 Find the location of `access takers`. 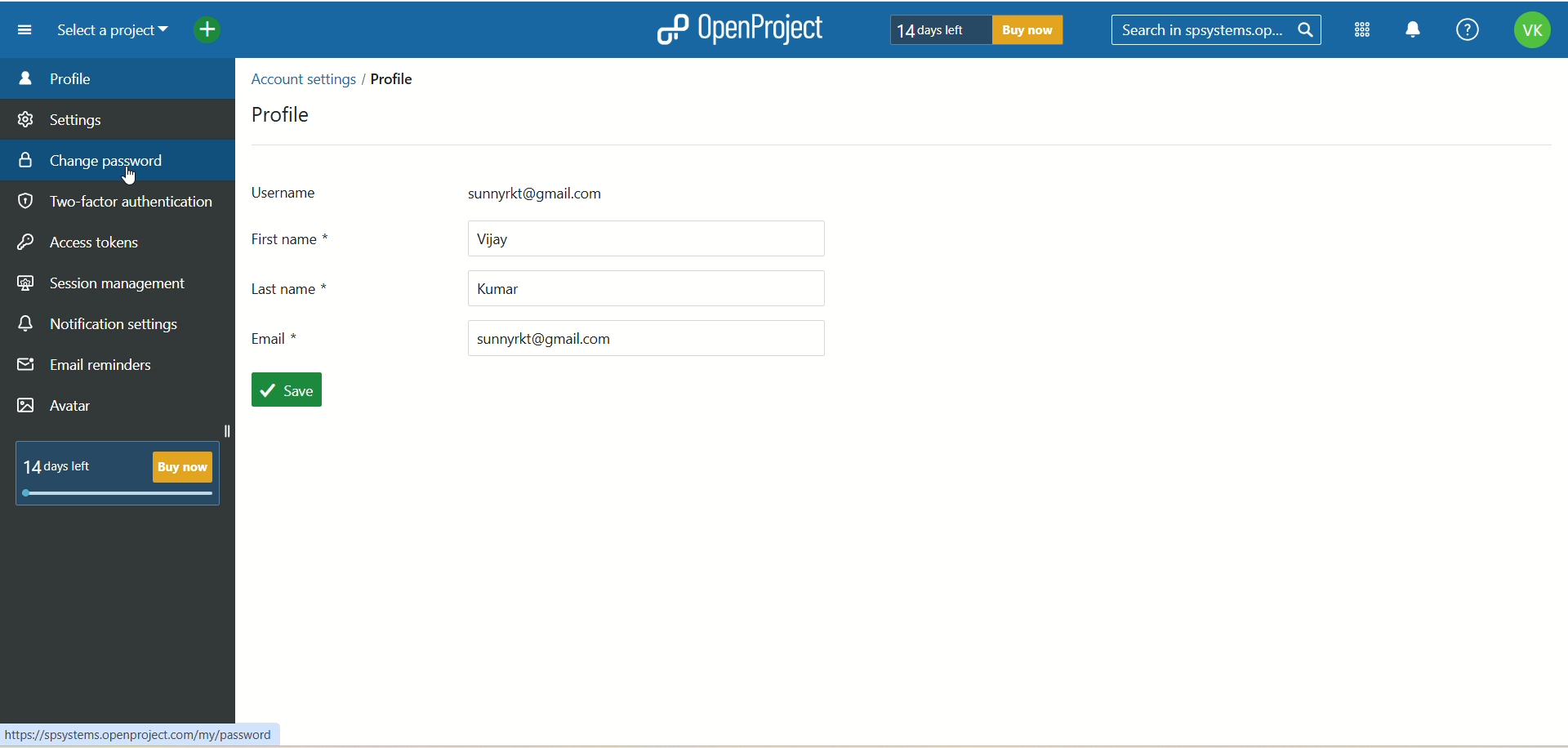

access takers is located at coordinates (86, 243).